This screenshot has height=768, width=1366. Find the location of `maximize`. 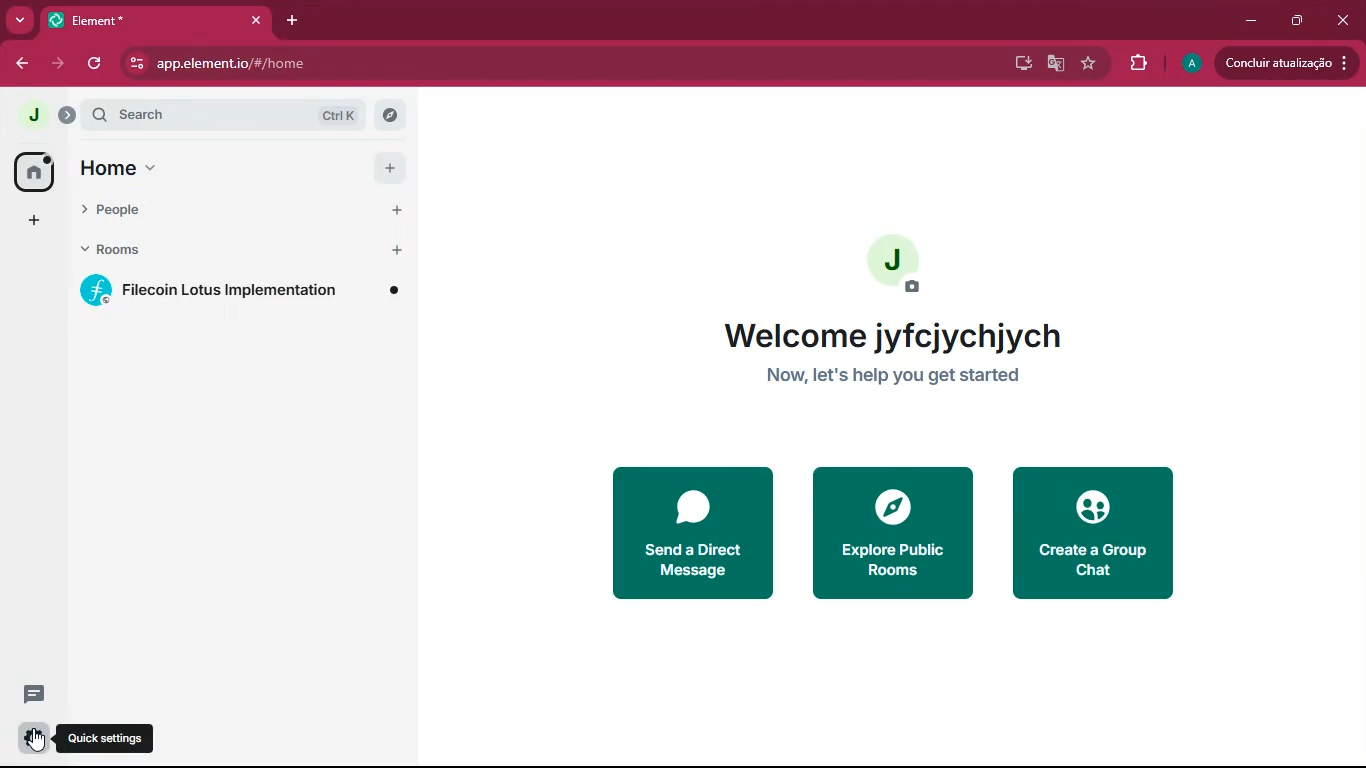

maximize is located at coordinates (1299, 22).